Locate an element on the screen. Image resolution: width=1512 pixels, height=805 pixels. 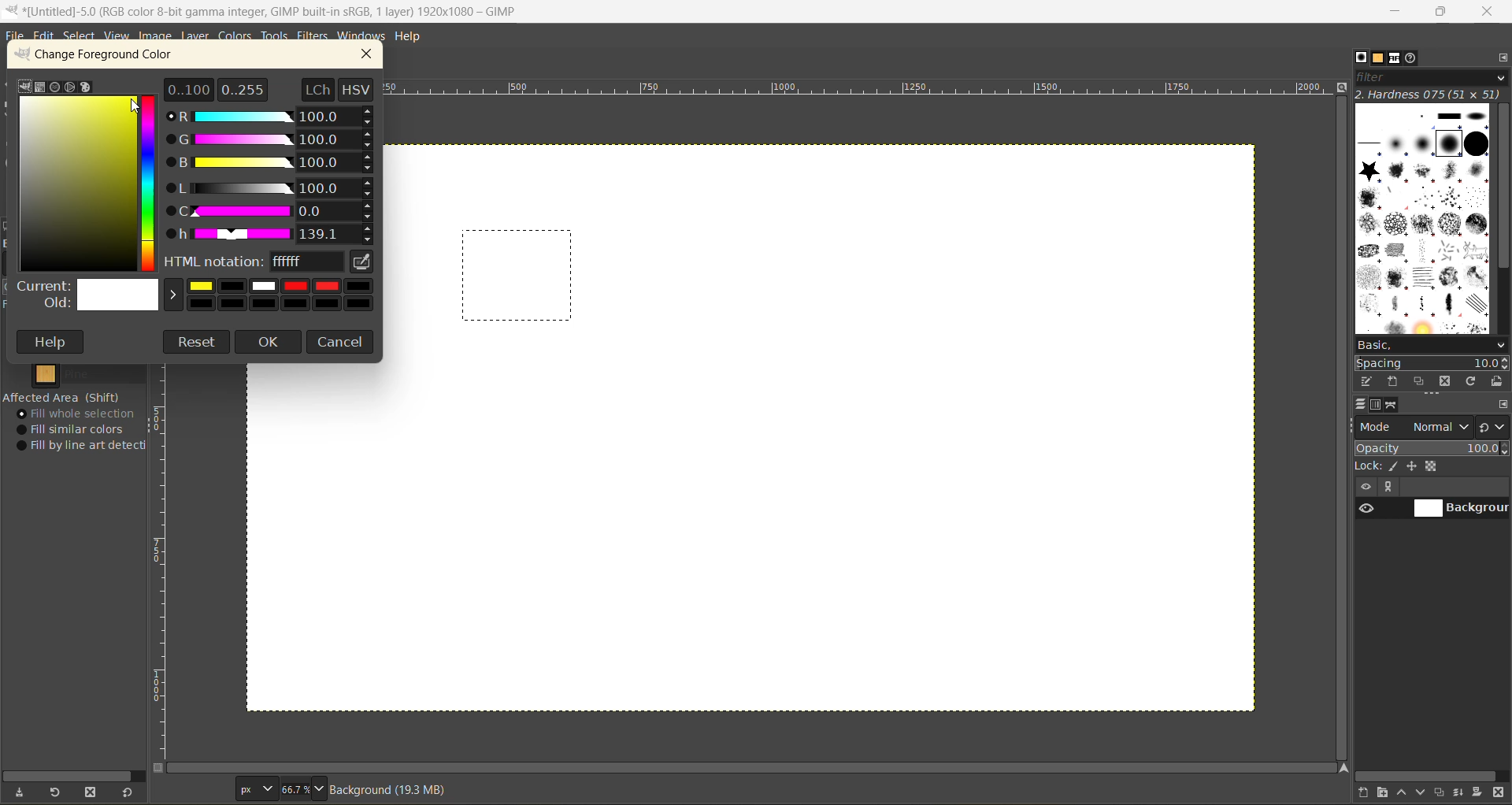
patterns is located at coordinates (1378, 60).